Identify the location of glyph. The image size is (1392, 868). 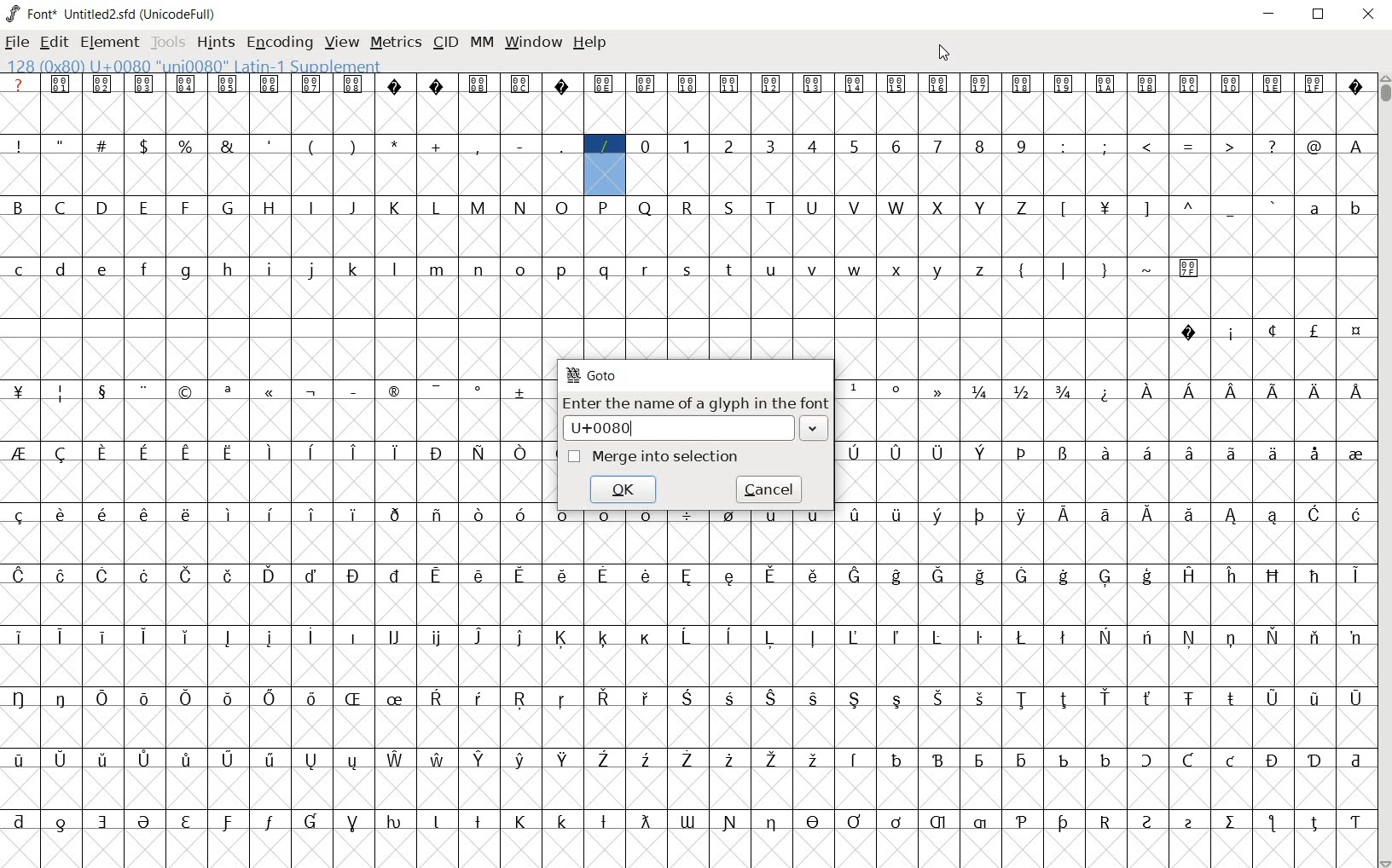
(647, 576).